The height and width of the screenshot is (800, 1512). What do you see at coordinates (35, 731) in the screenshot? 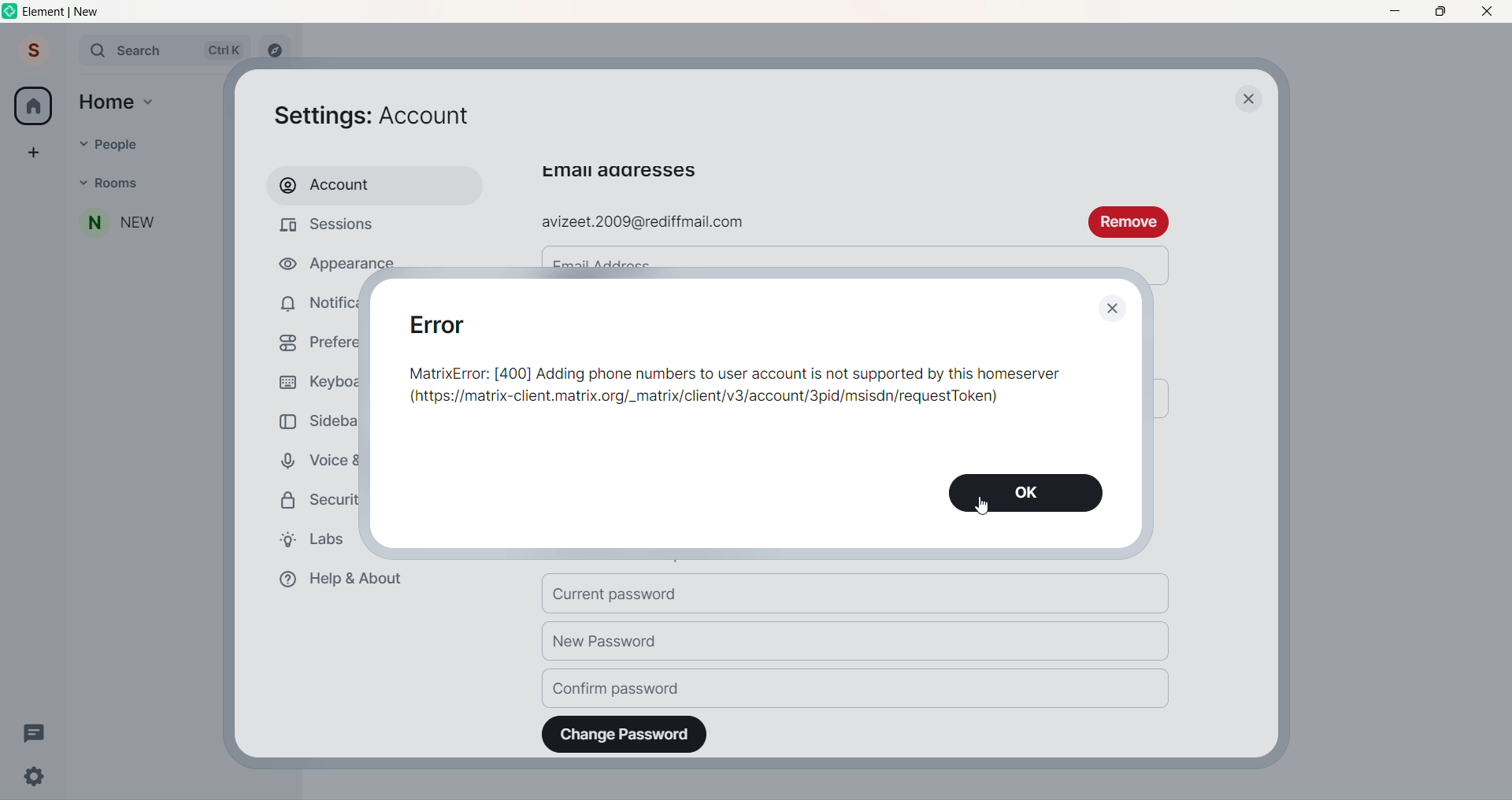
I see `Threads` at bounding box center [35, 731].